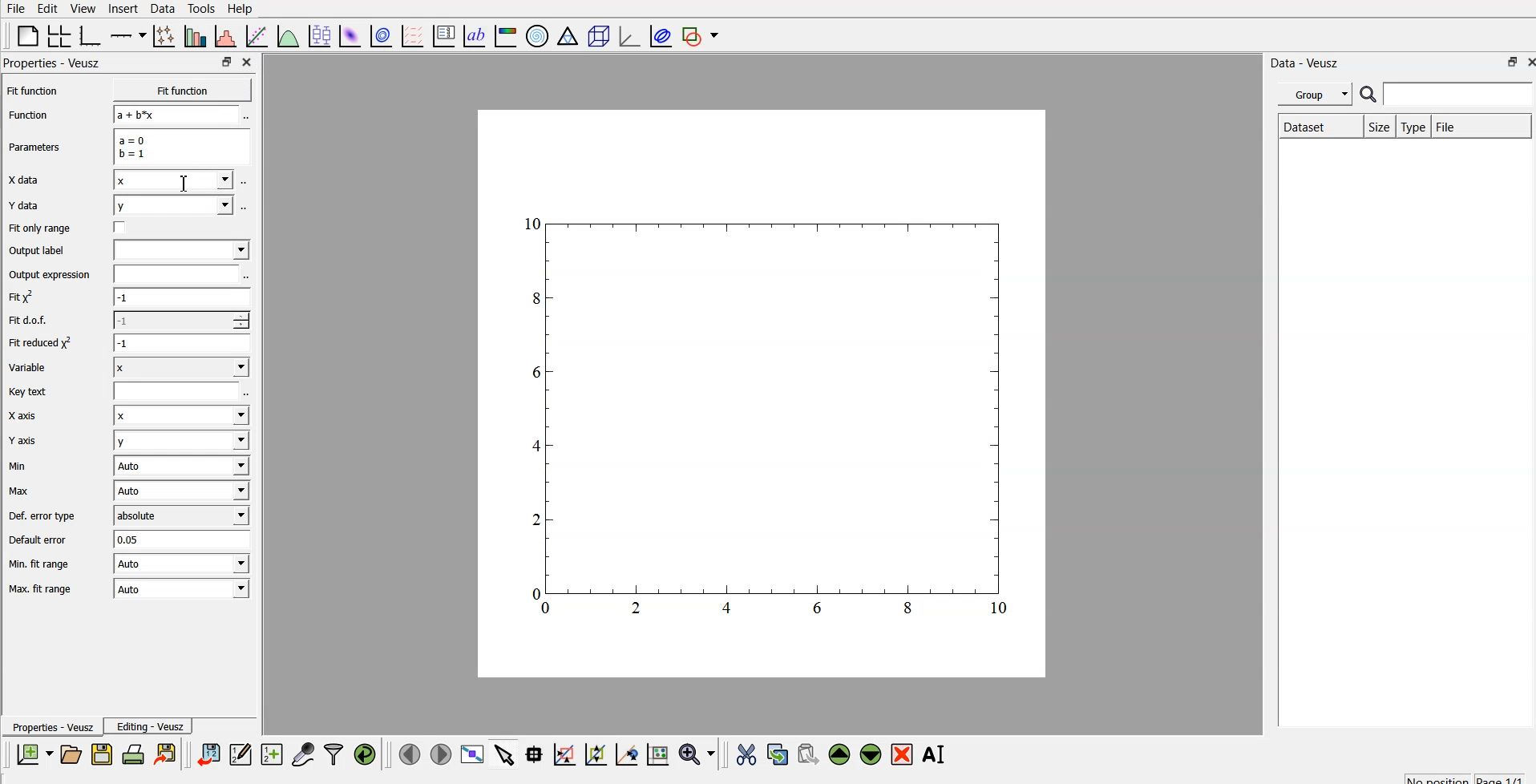 This screenshot has width=1536, height=784. What do you see at coordinates (182, 275) in the screenshot?
I see `input expression` at bounding box center [182, 275].